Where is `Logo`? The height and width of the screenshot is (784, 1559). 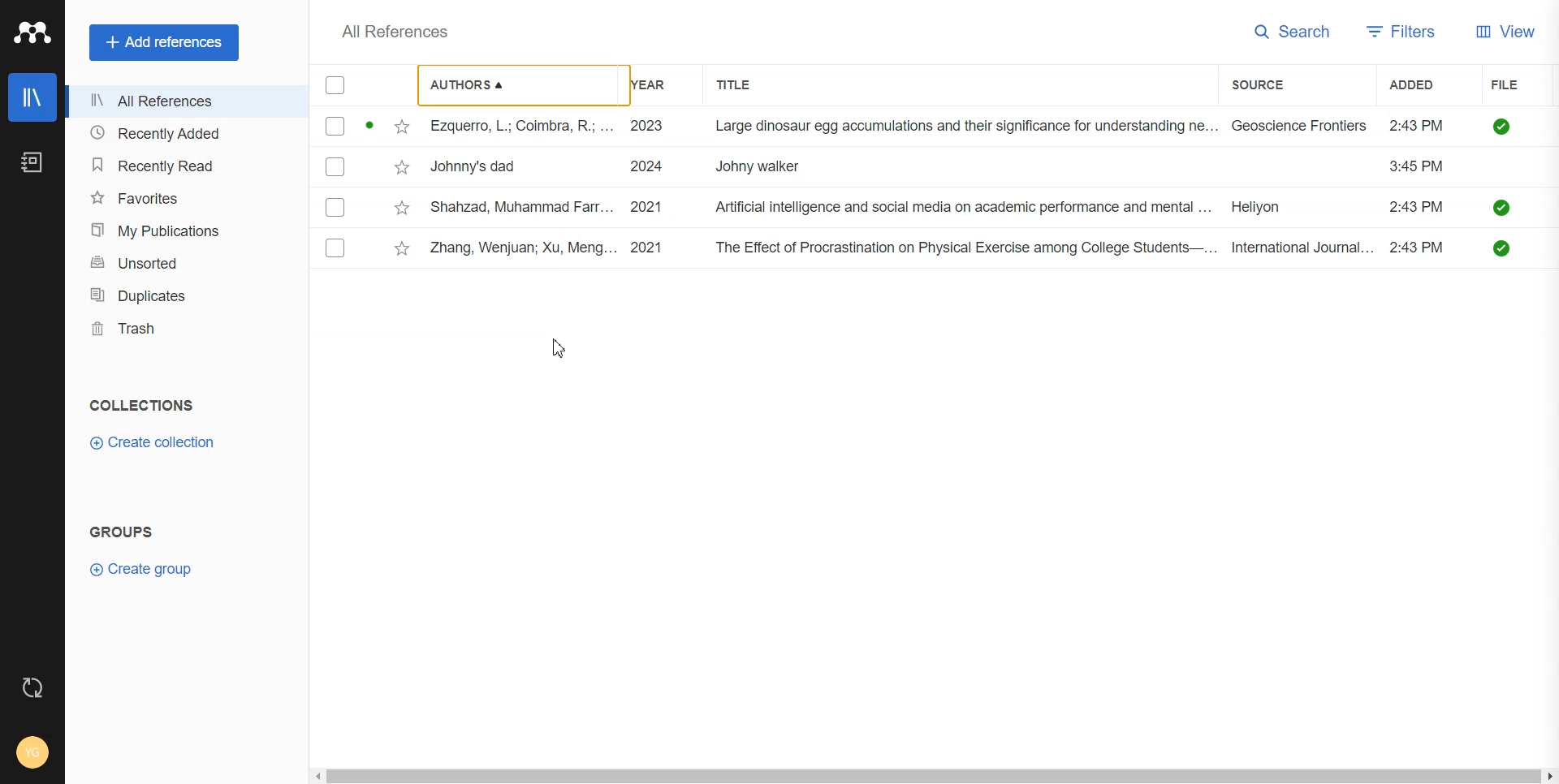
Logo is located at coordinates (32, 32).